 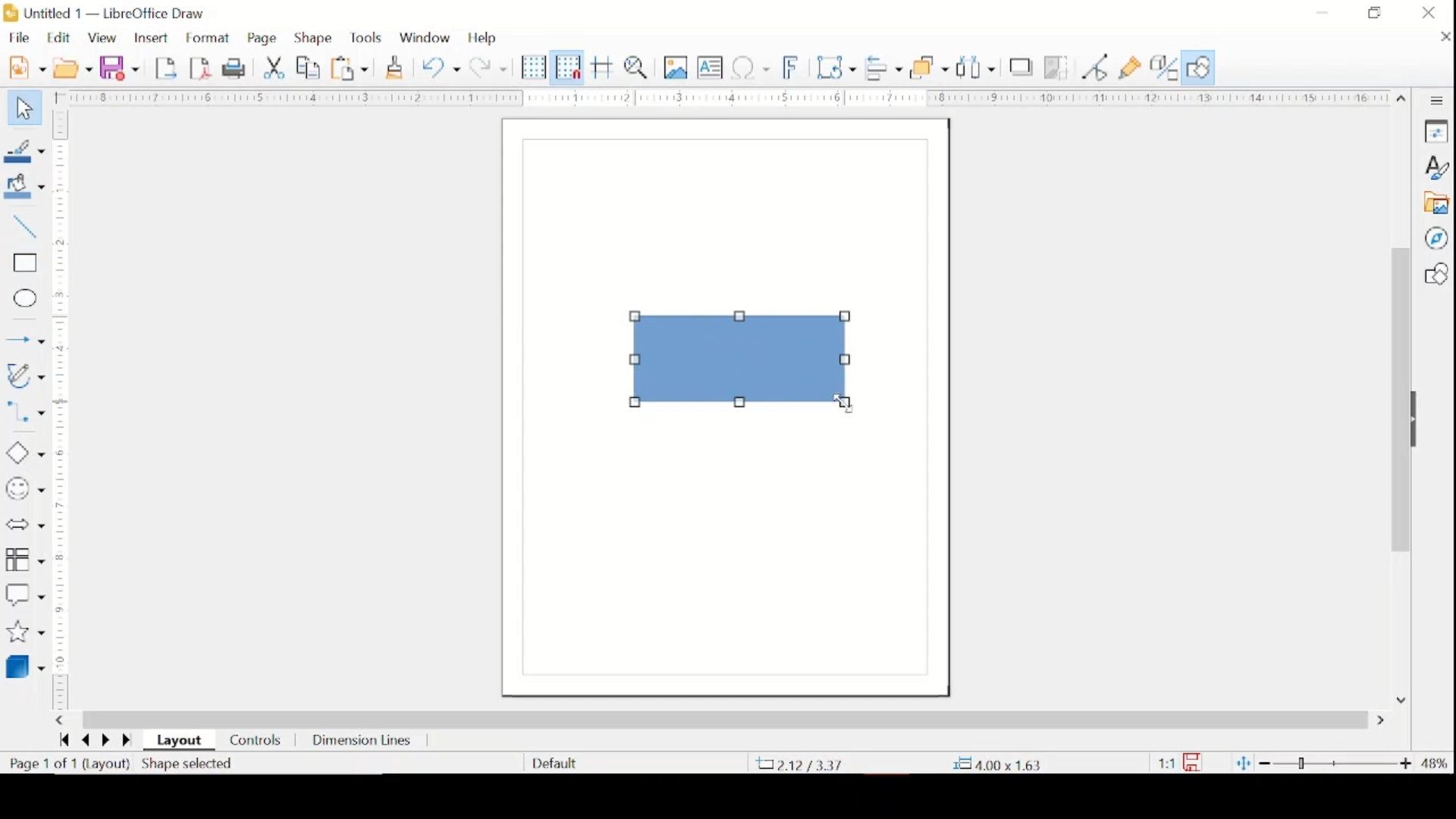 What do you see at coordinates (1399, 698) in the screenshot?
I see `scroll down arrow` at bounding box center [1399, 698].